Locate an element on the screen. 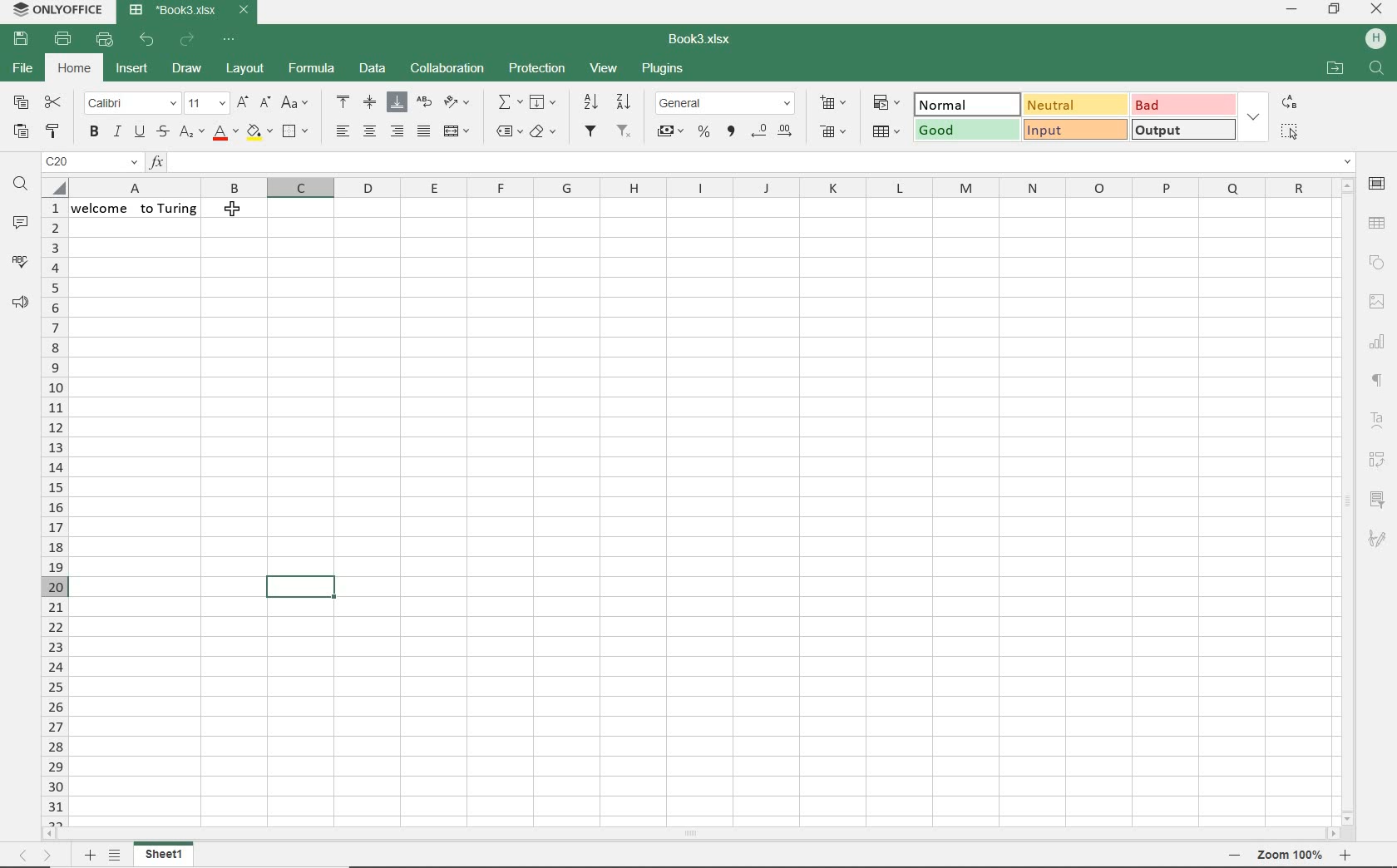 This screenshot has width=1397, height=868. delete cells is located at coordinates (832, 131).